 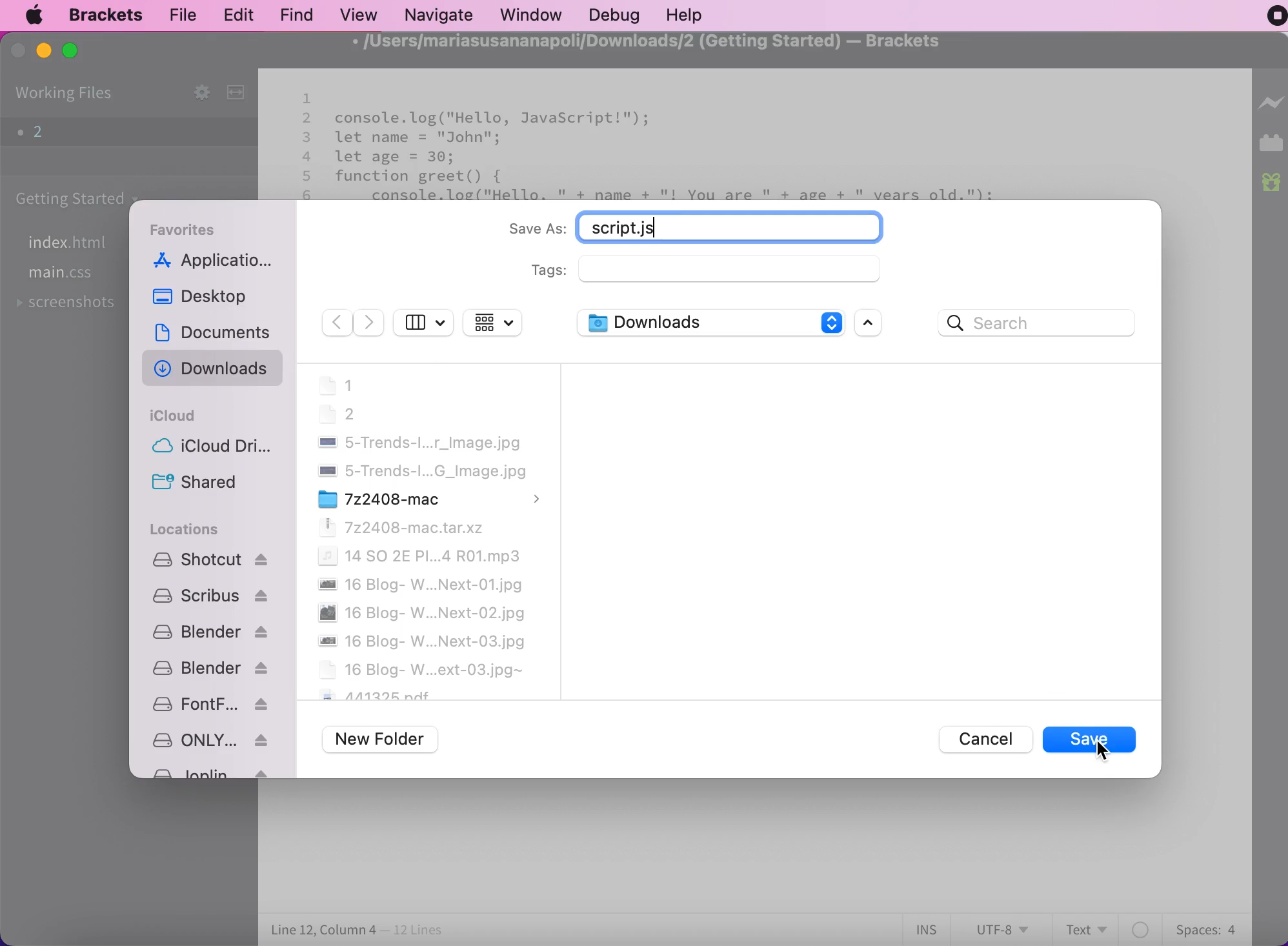 I want to click on downloads, so click(x=212, y=368).